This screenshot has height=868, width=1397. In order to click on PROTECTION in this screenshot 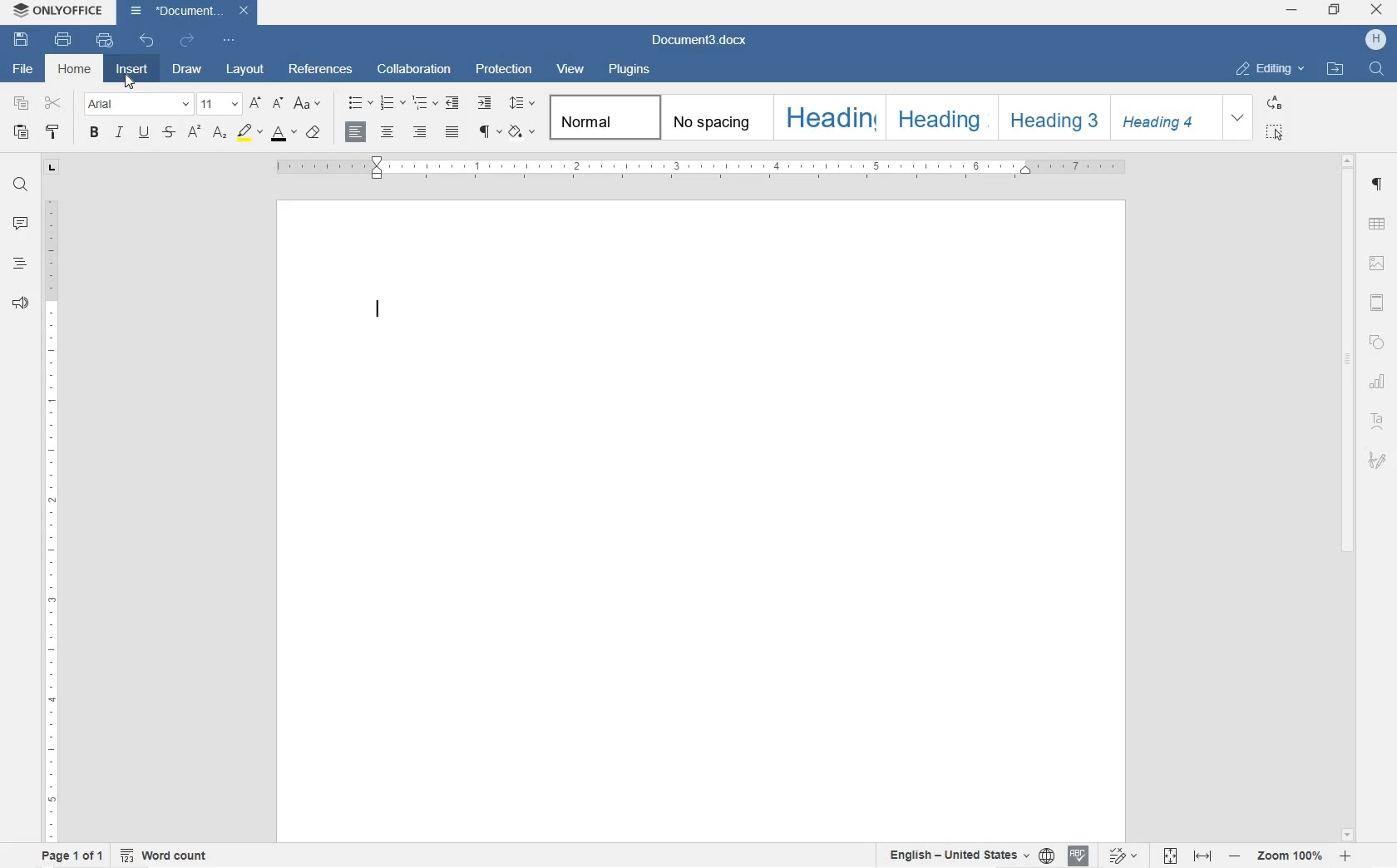, I will do `click(503, 71)`.